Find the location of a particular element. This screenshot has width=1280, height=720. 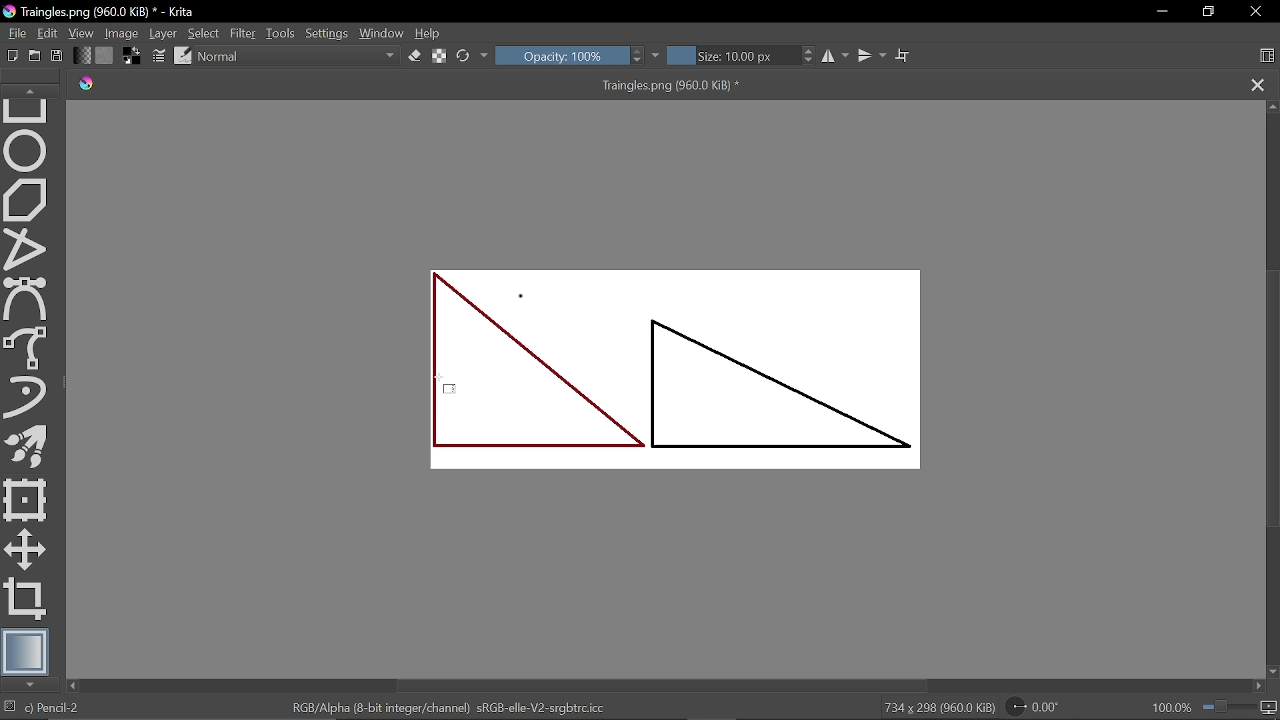

Move down is located at coordinates (1271, 669).